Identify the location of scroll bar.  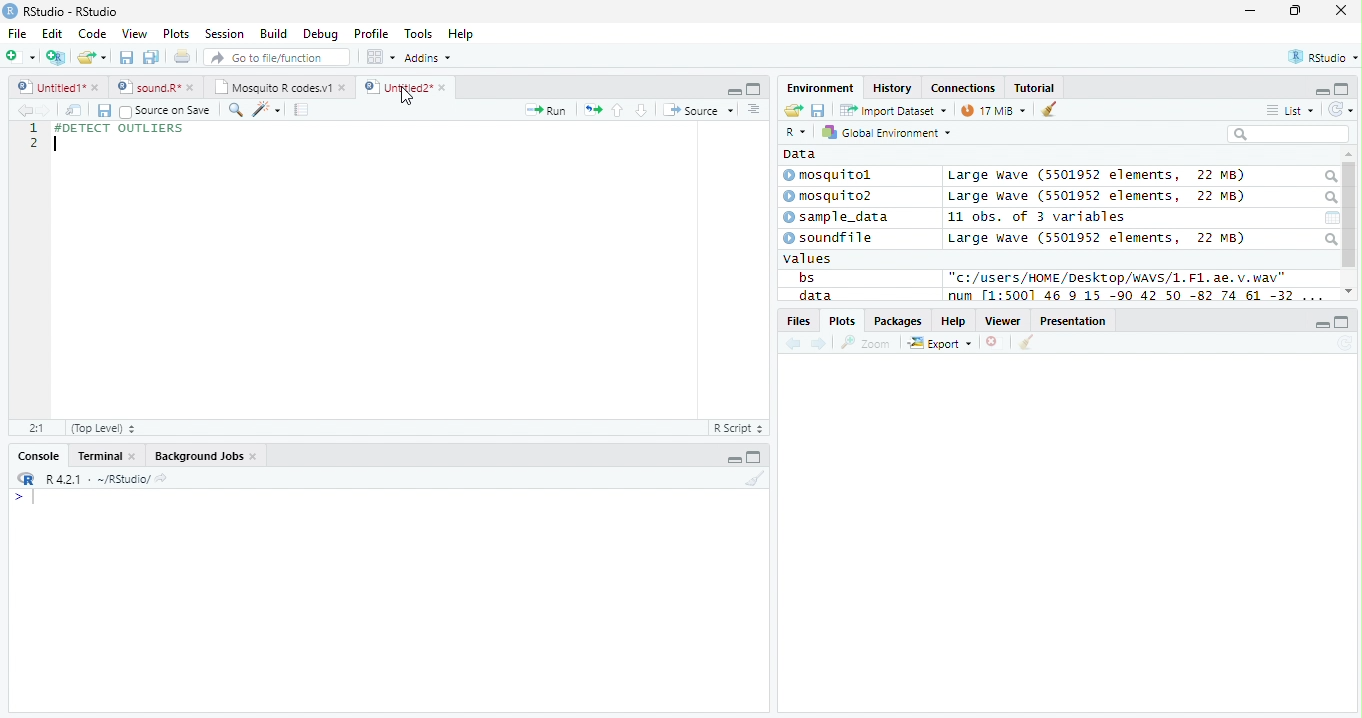
(1350, 215).